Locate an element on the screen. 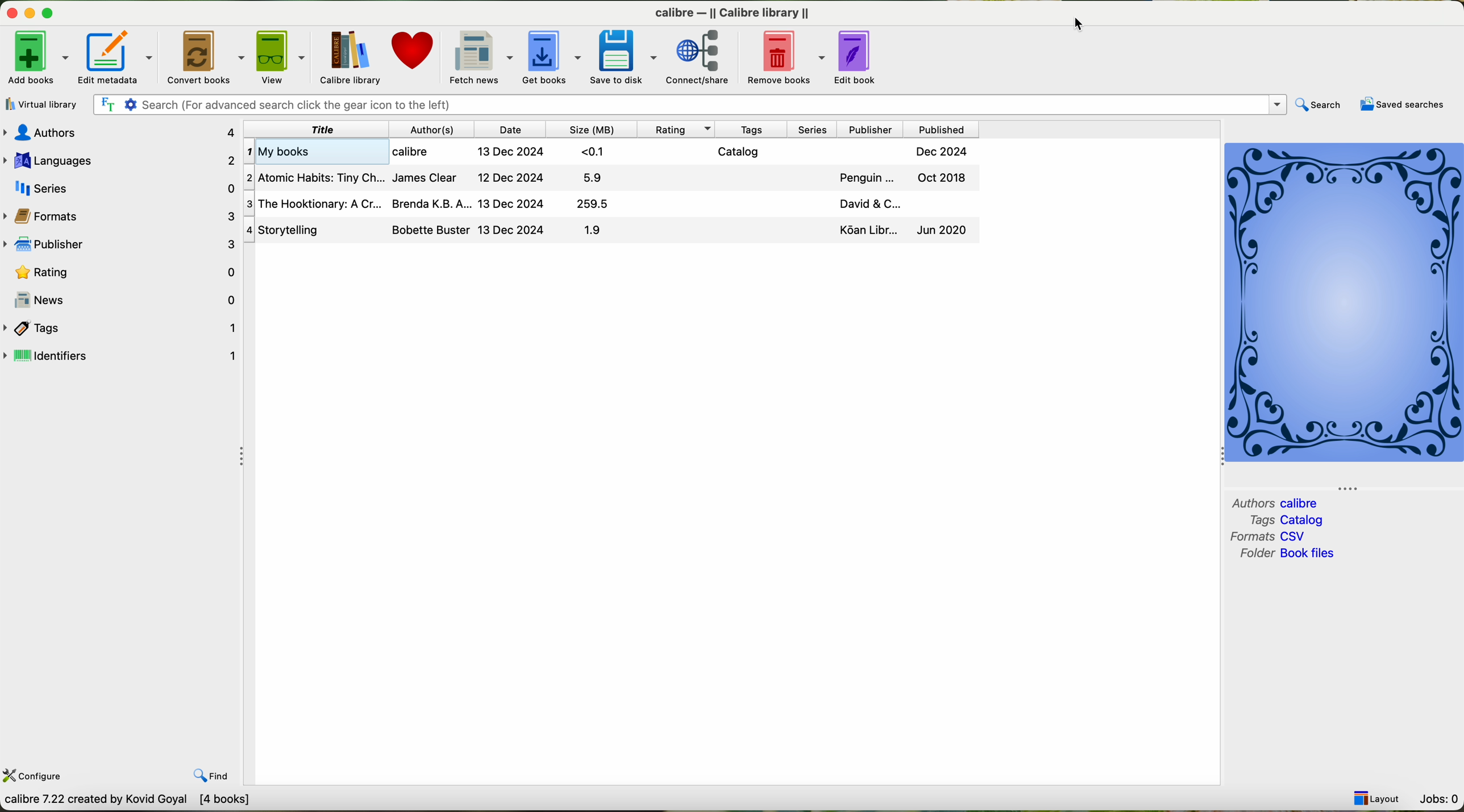 Image resolution: width=1464 pixels, height=812 pixels. cursor is located at coordinates (1070, 24).